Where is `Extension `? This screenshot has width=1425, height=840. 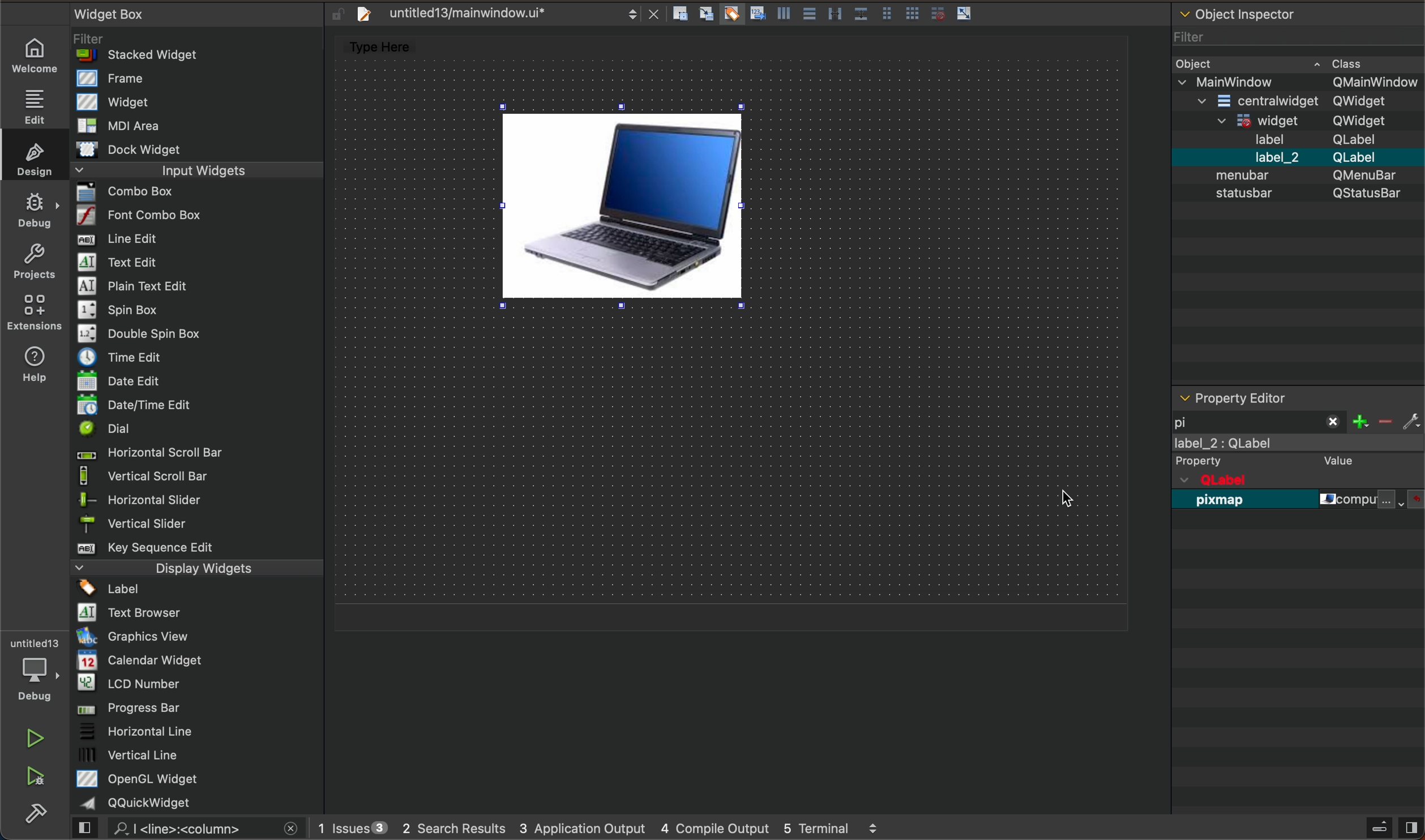
Extension  is located at coordinates (34, 312).